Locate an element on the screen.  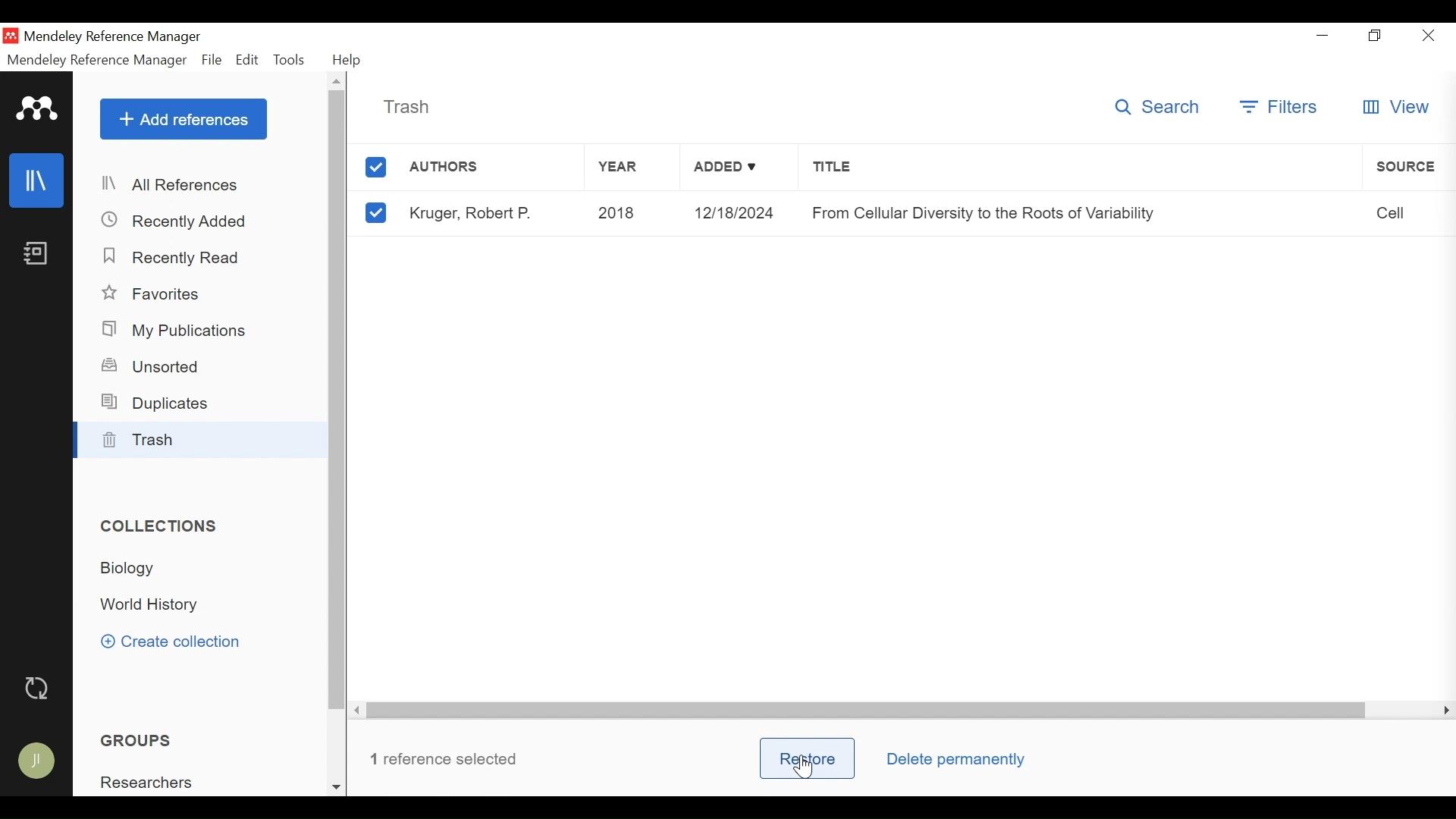
Search is located at coordinates (1158, 107).